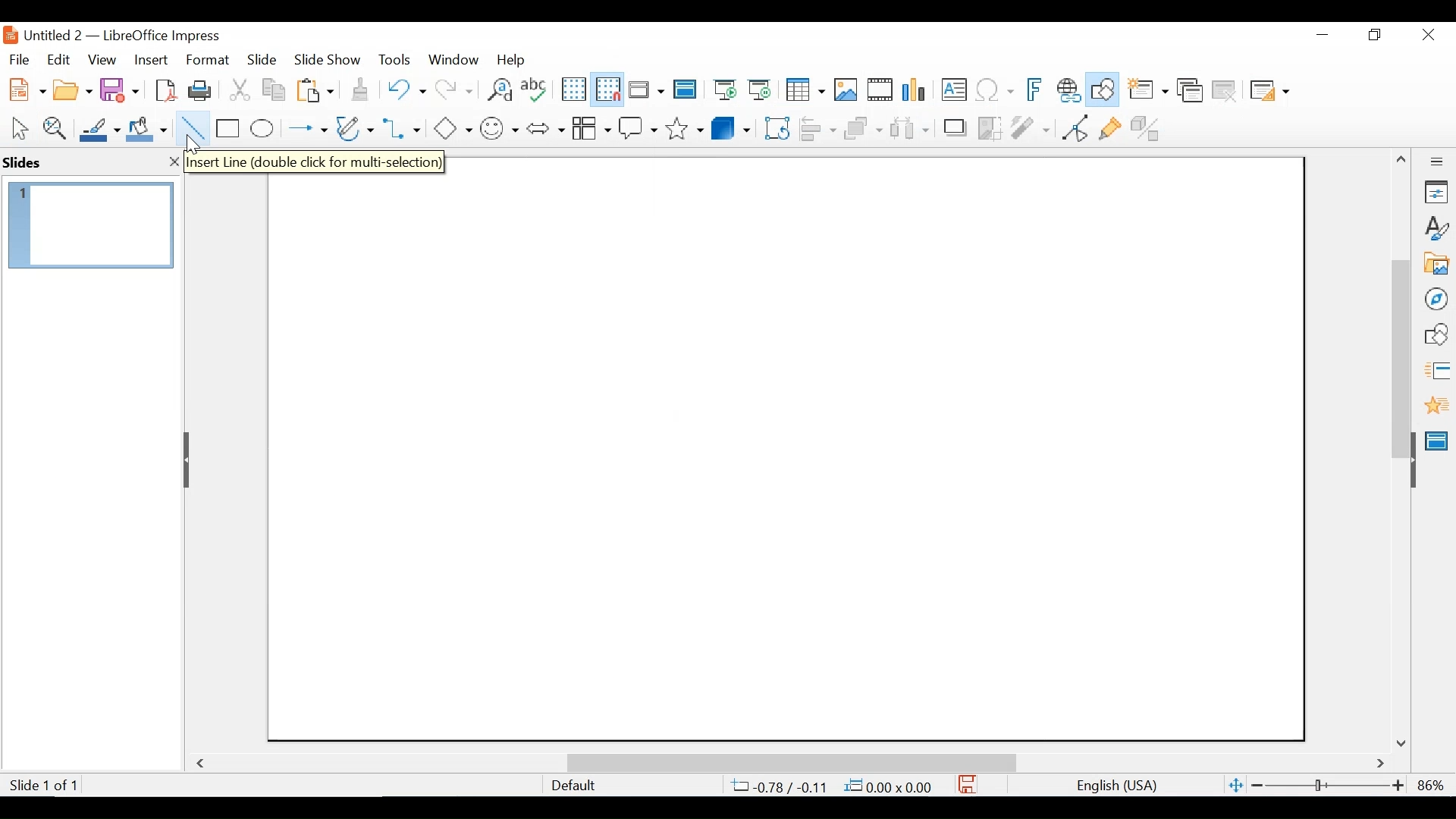  I want to click on Arrange, so click(861, 127).